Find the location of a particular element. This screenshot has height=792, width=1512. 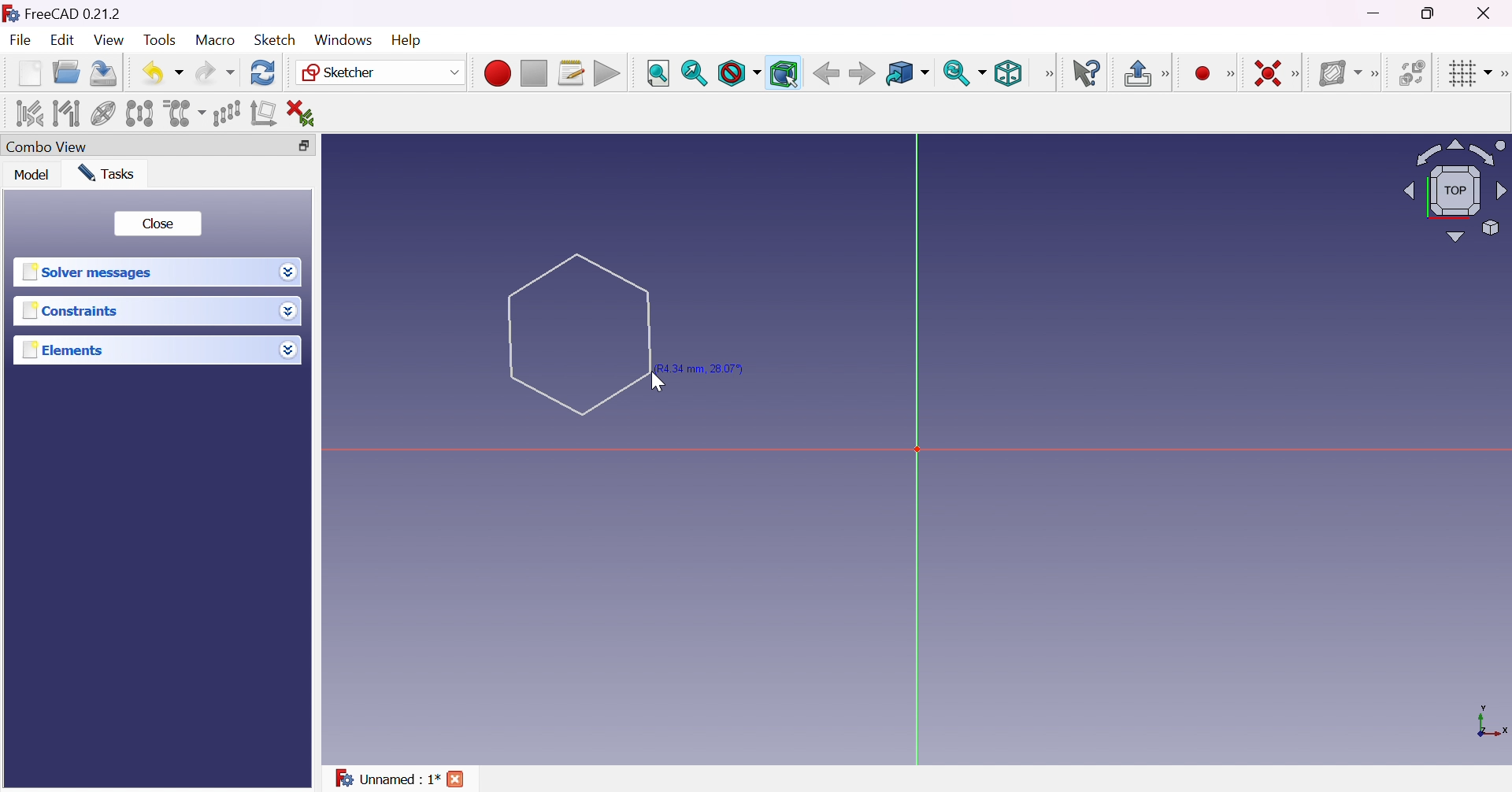

Edit is located at coordinates (65, 40).